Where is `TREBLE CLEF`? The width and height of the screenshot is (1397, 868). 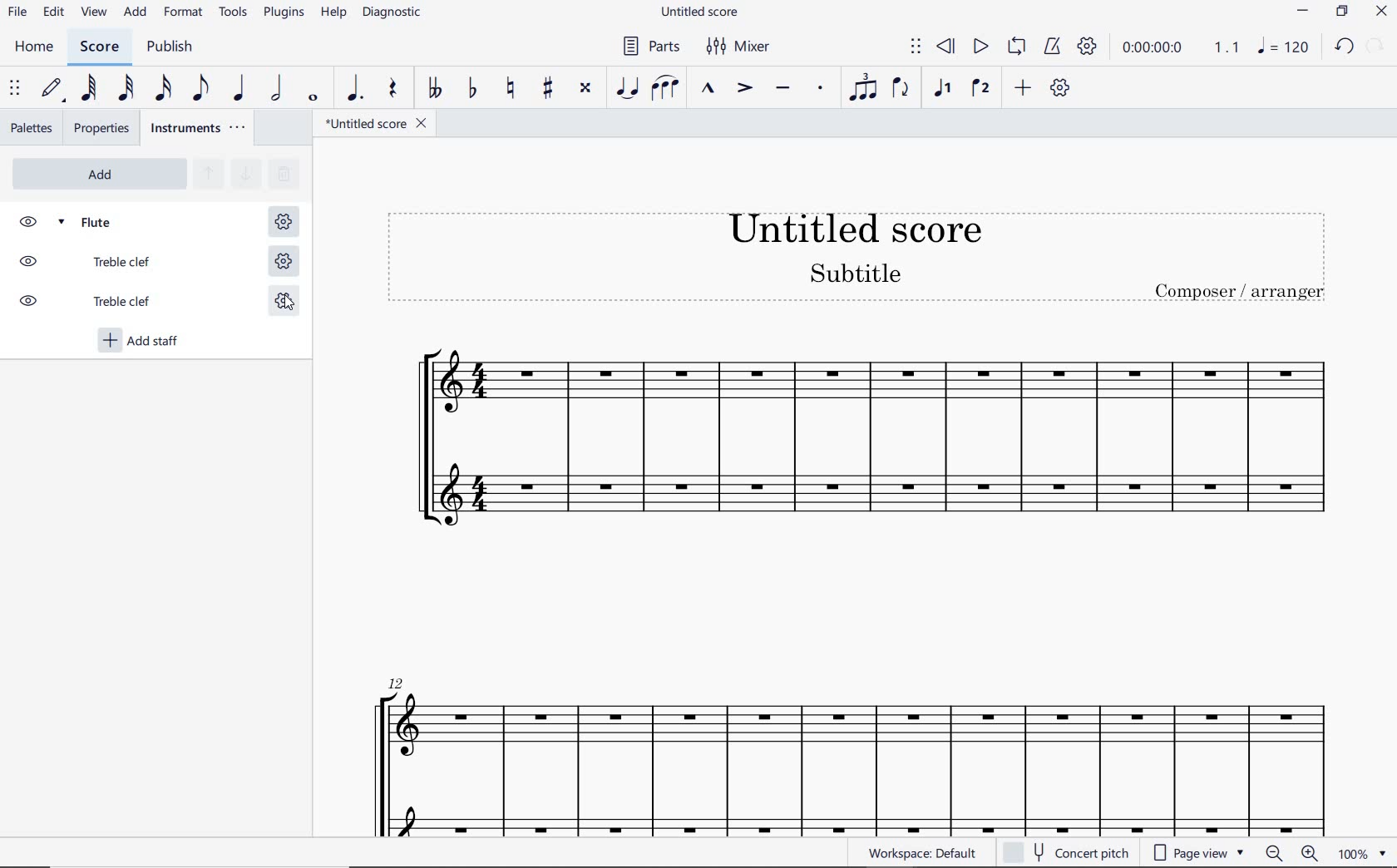 TREBLE CLEF is located at coordinates (102, 261).